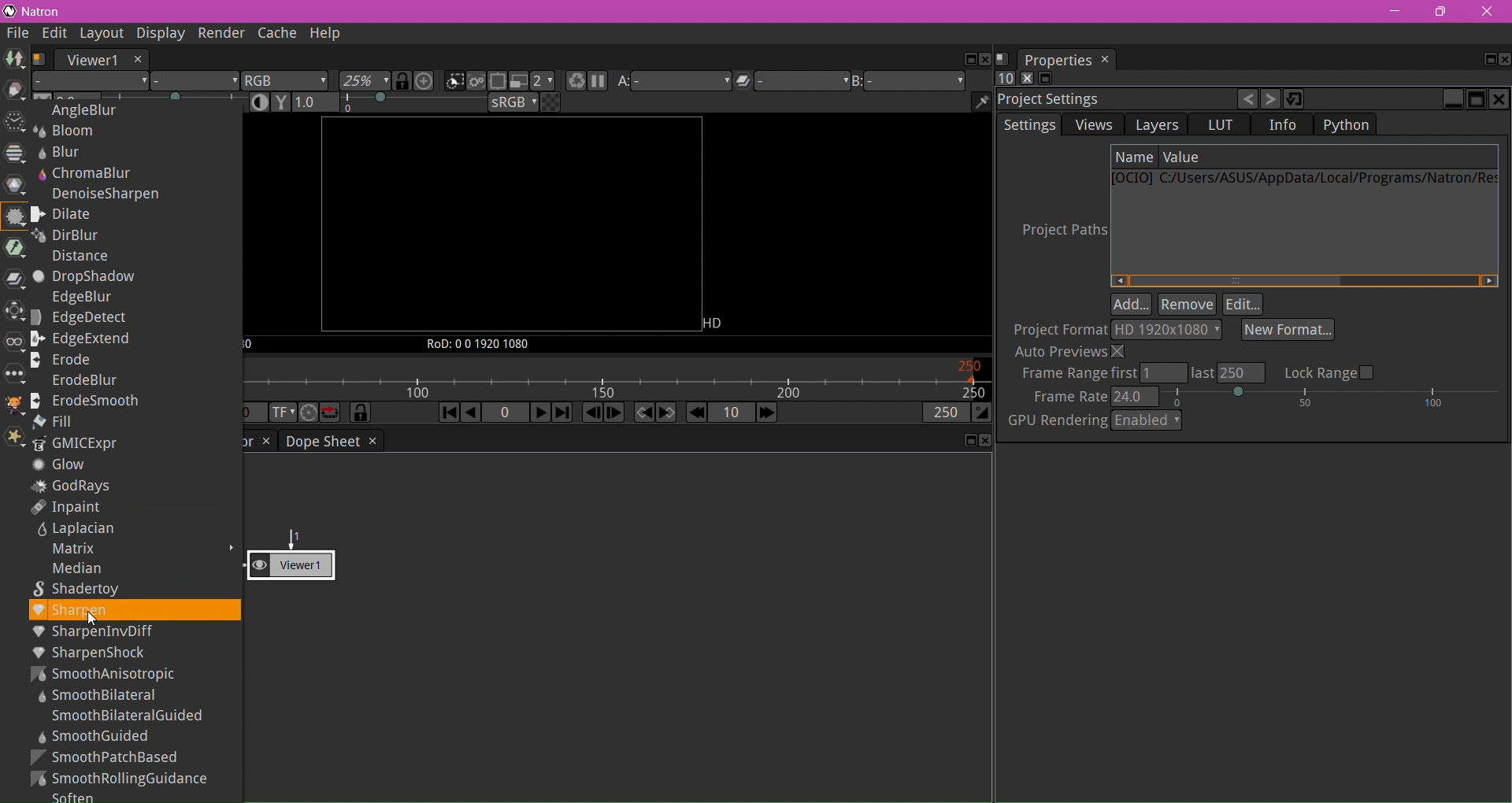 The width and height of the screenshot is (1512, 803). I want to click on EdgeDetect, so click(82, 319).